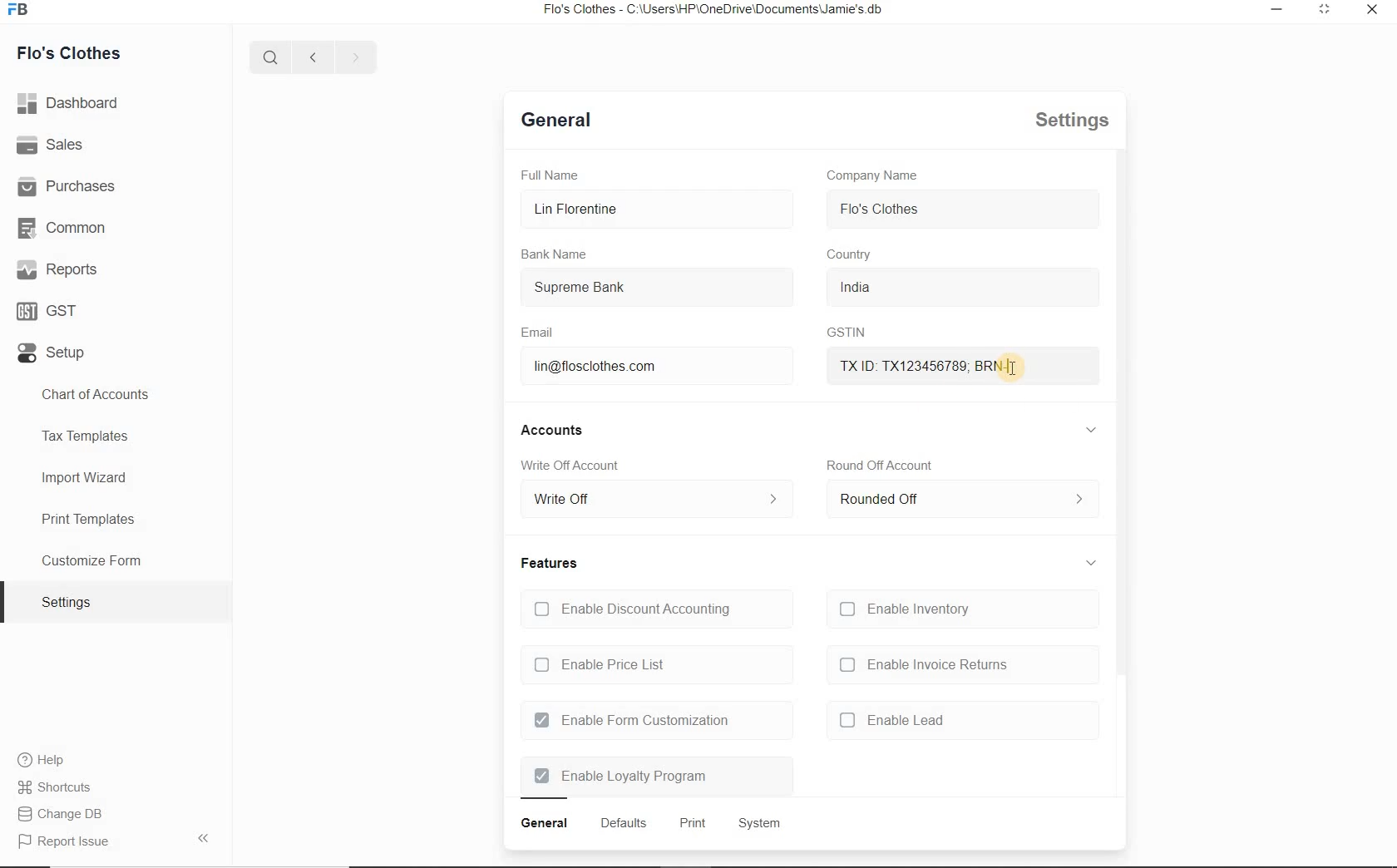 The image size is (1397, 868). What do you see at coordinates (882, 367) in the screenshot?
I see `mouse pointer` at bounding box center [882, 367].